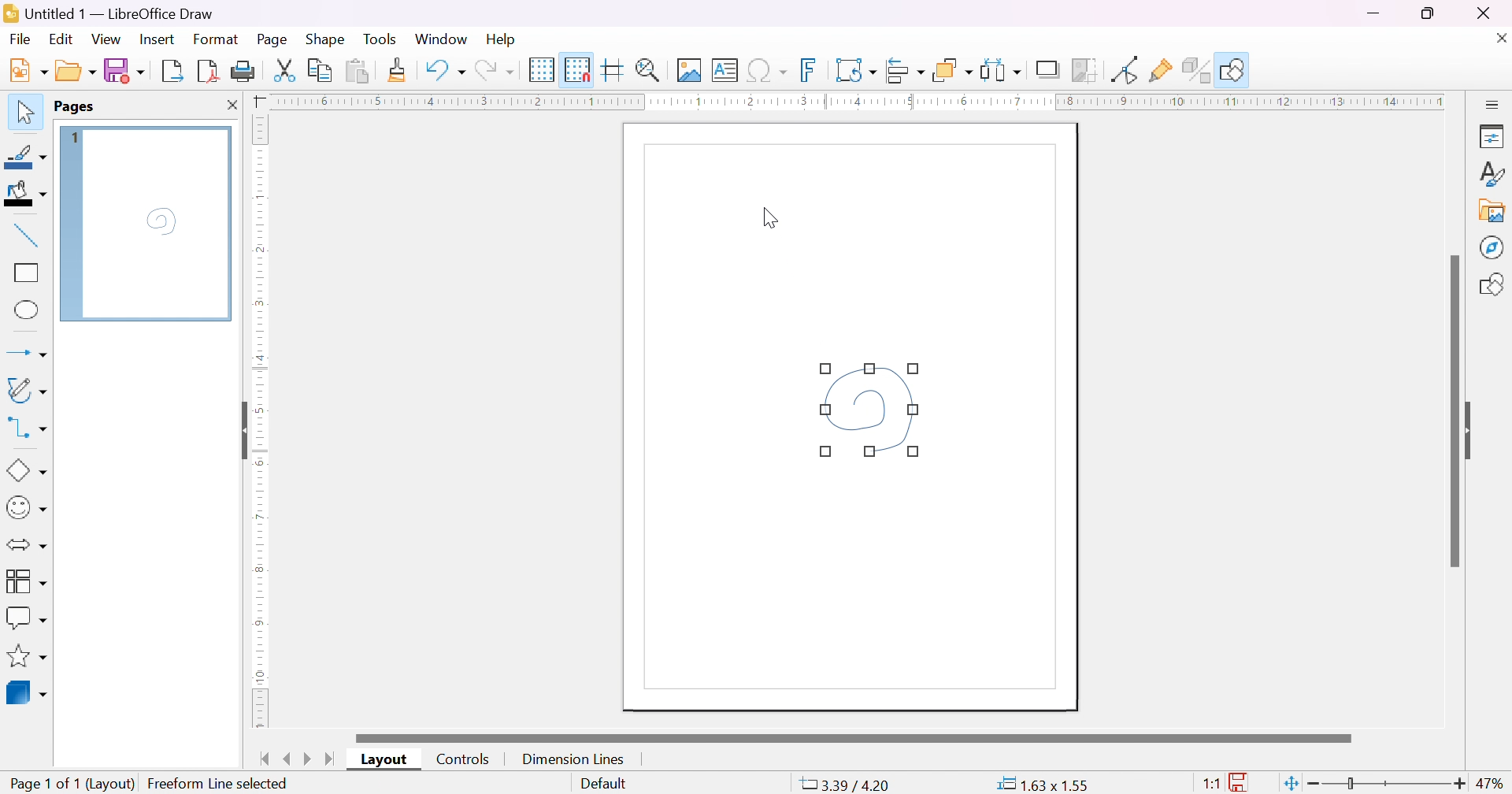 Image resolution: width=1512 pixels, height=794 pixels. Describe the element at coordinates (1390, 785) in the screenshot. I see `slider` at that location.